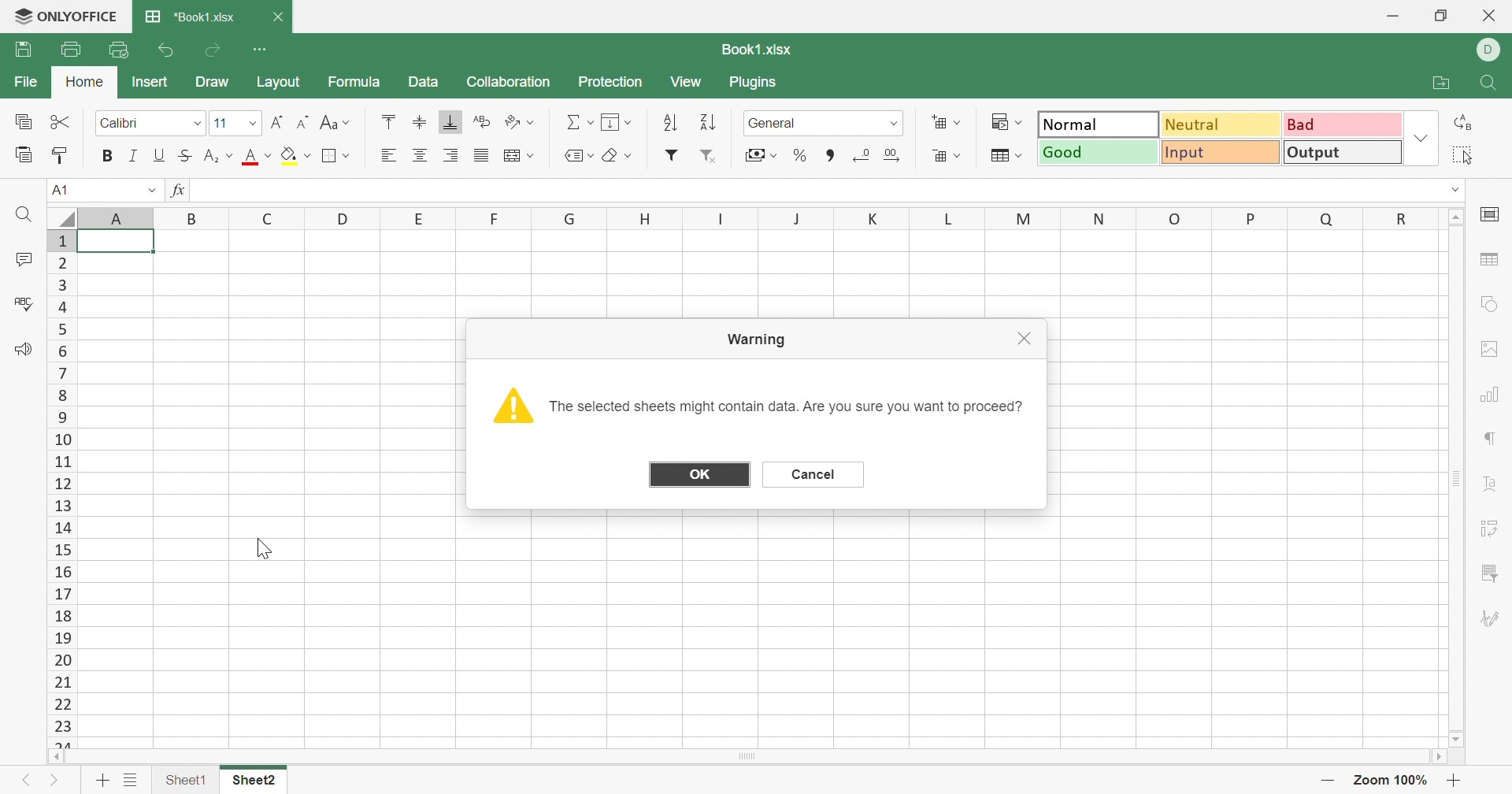 The height and width of the screenshot is (794, 1512). Describe the element at coordinates (631, 122) in the screenshot. I see `Drop Down` at that location.